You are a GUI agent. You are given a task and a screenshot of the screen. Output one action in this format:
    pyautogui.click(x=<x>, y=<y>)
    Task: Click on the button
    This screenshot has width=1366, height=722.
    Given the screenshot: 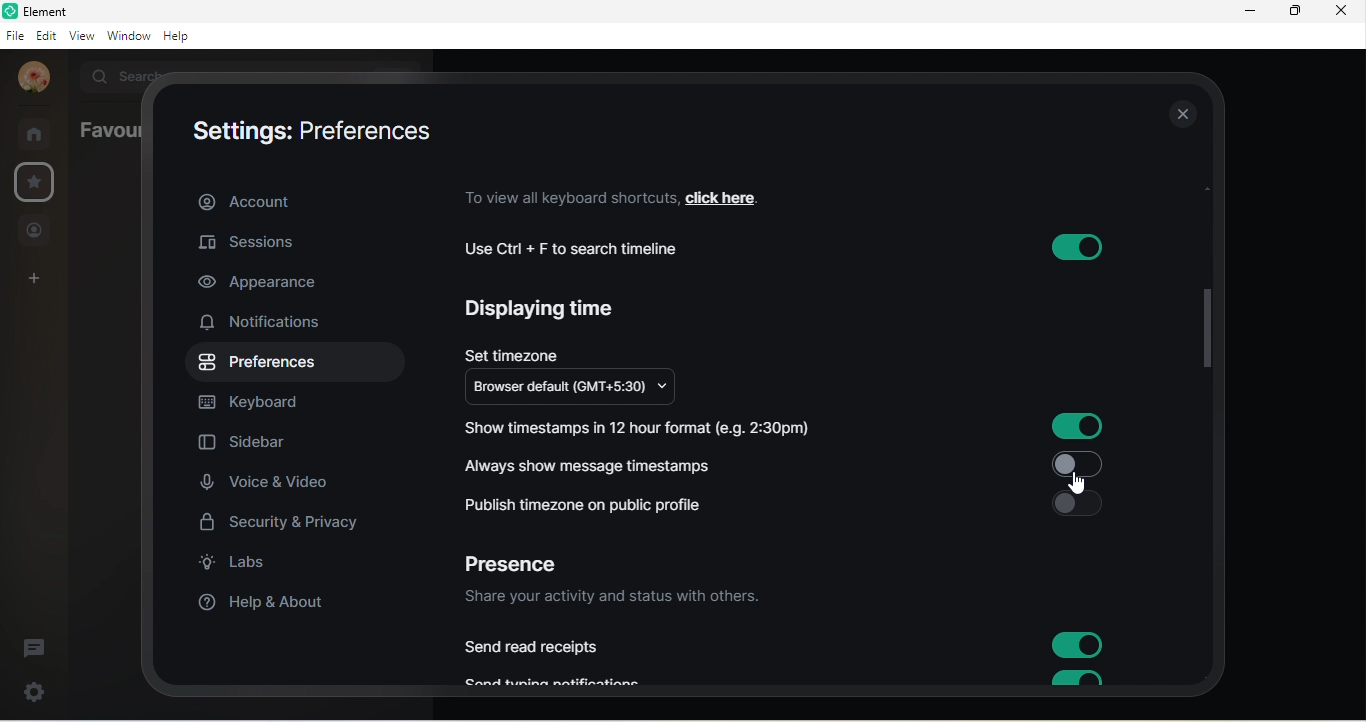 What is the action you would take?
    pyautogui.click(x=1078, y=503)
    